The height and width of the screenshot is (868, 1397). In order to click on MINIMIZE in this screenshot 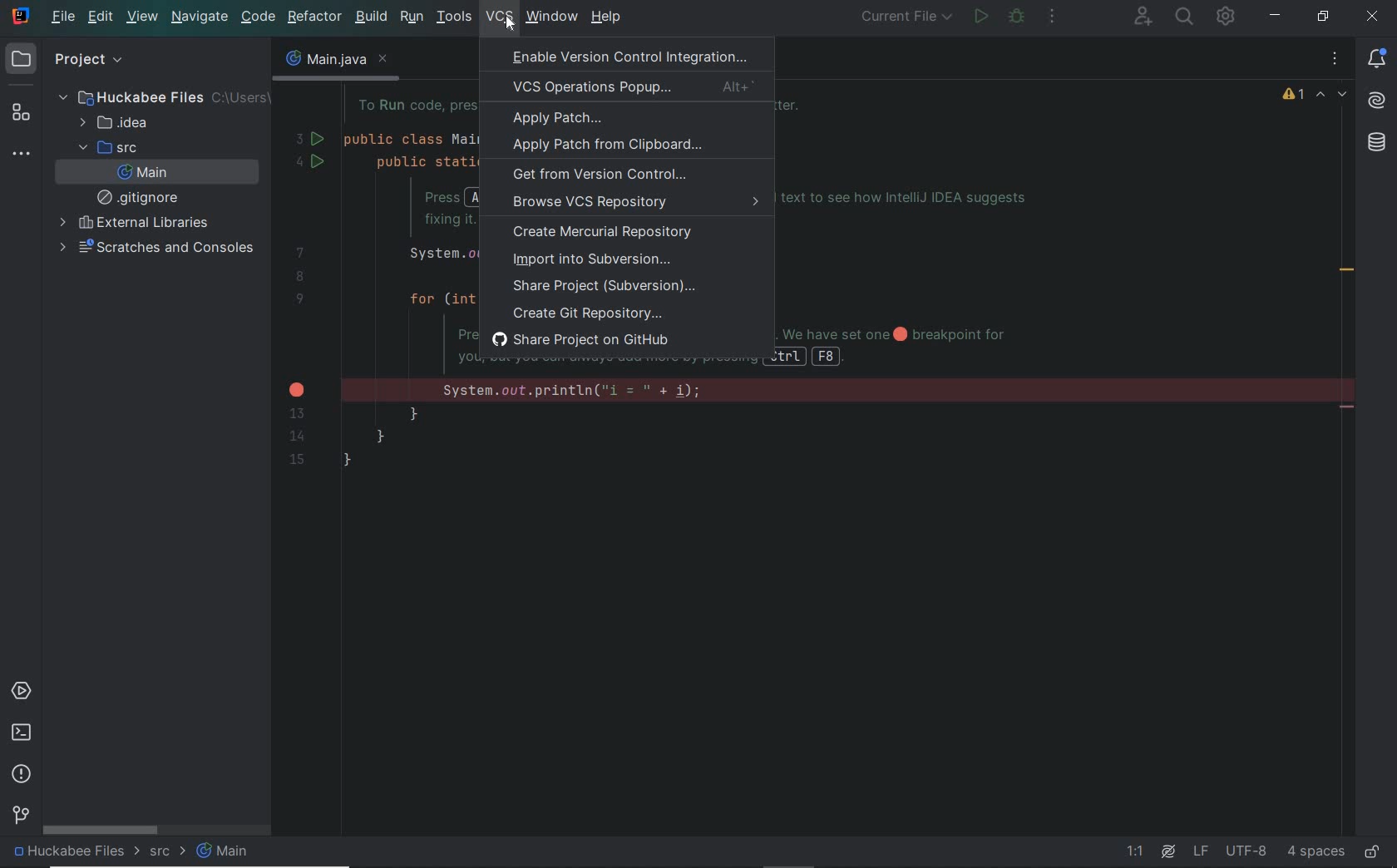, I will do `click(1276, 18)`.